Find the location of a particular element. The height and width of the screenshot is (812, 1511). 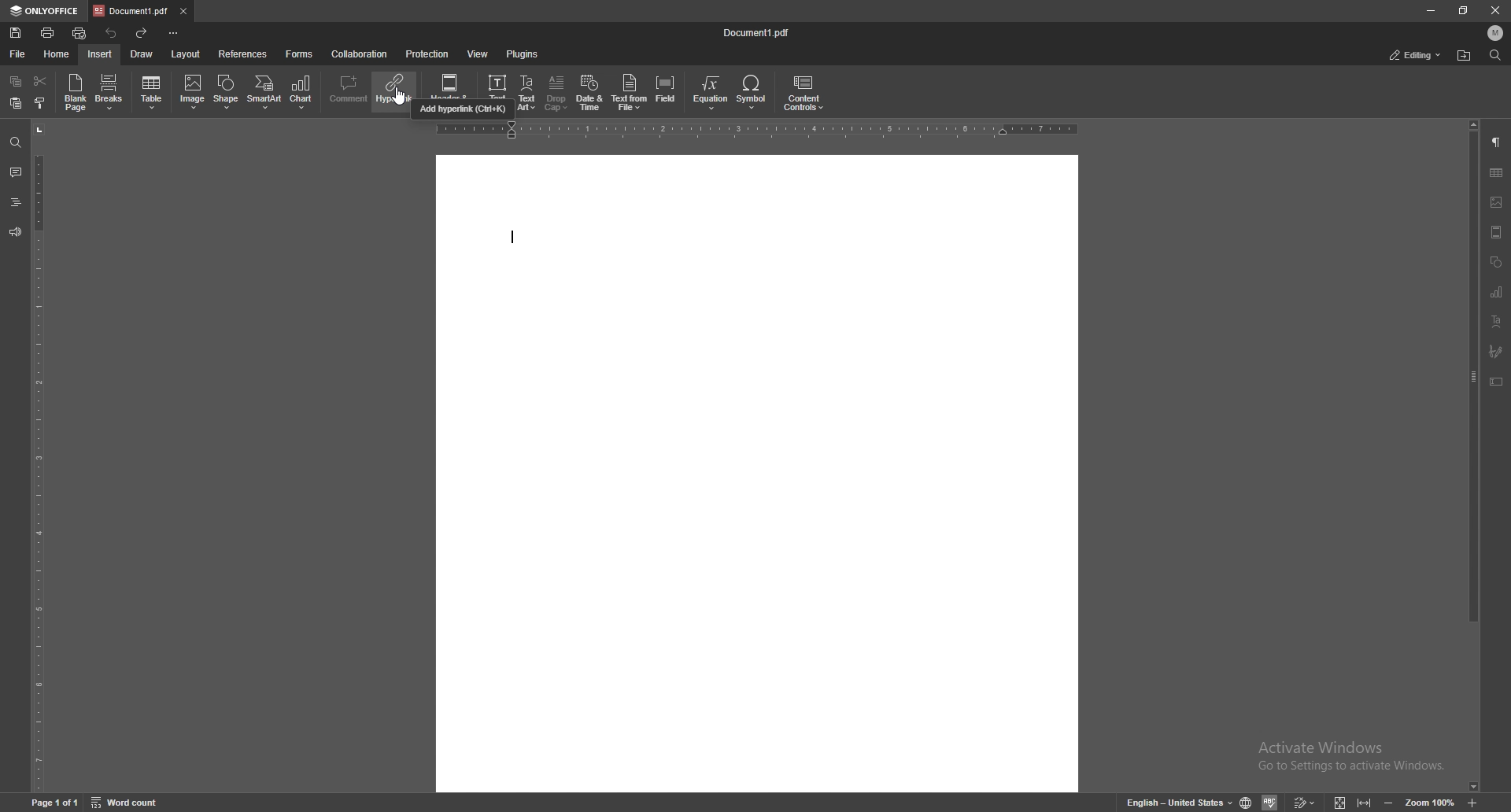

resize is located at coordinates (1466, 9).